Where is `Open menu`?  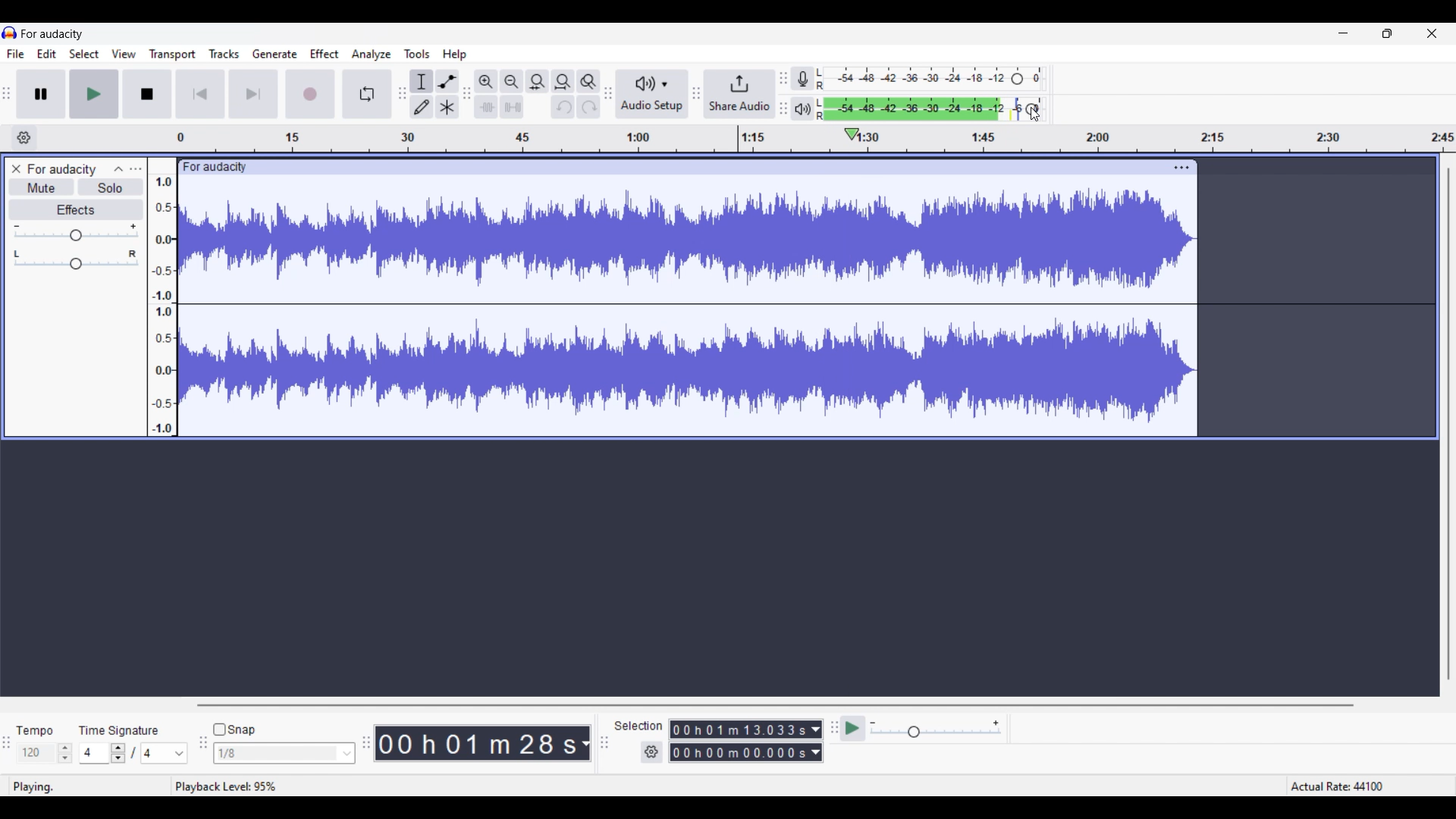 Open menu is located at coordinates (136, 169).